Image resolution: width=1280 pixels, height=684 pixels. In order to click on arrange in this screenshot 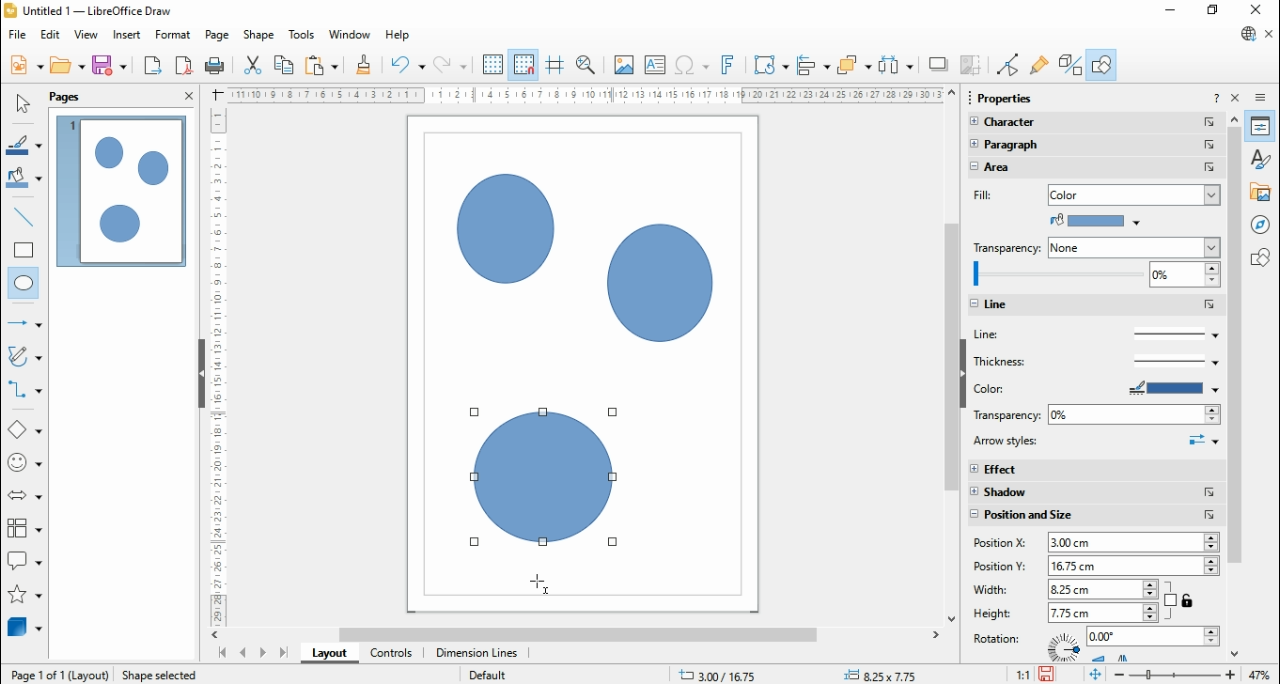, I will do `click(855, 65)`.